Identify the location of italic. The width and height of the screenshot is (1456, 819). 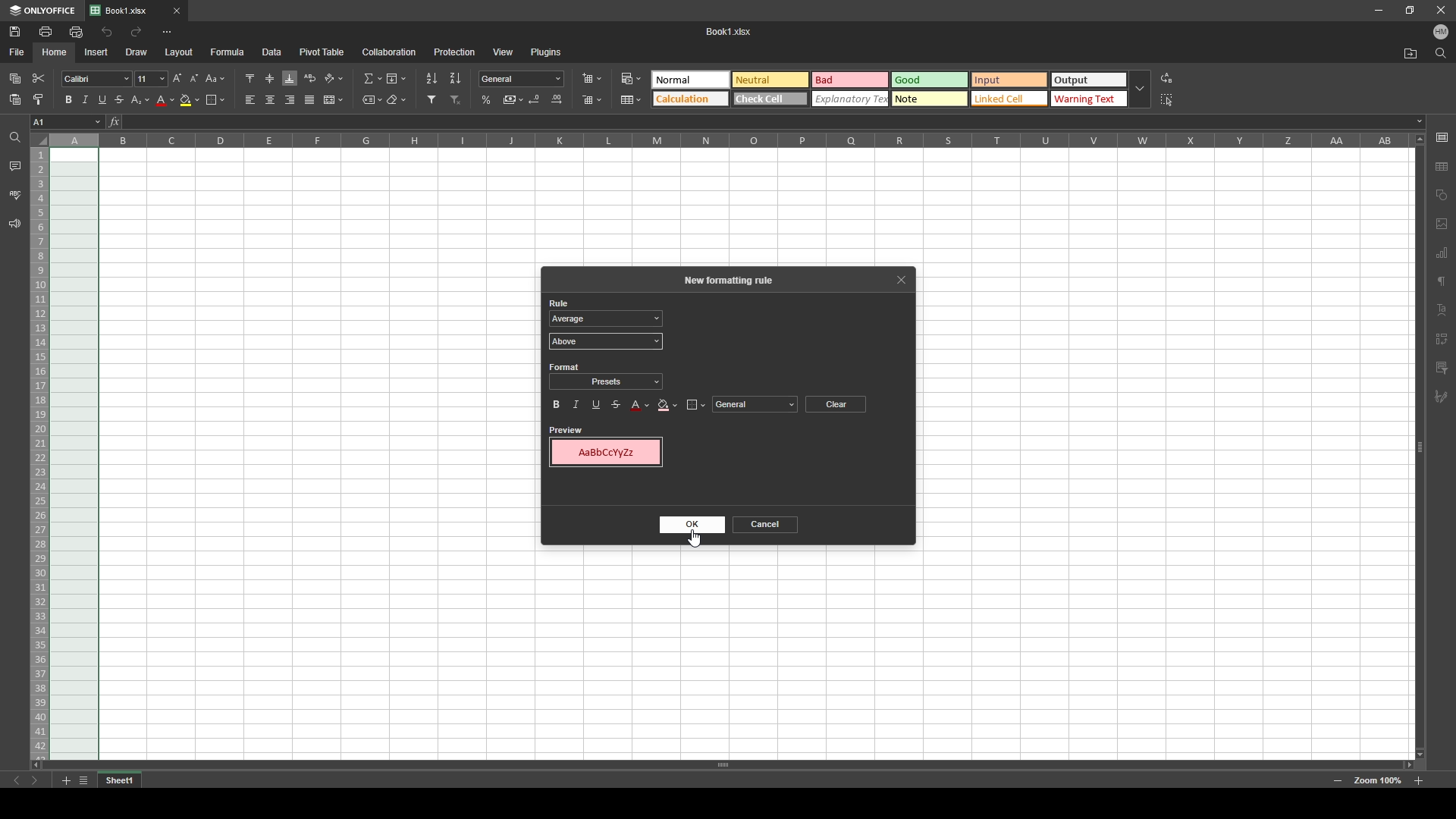
(85, 99).